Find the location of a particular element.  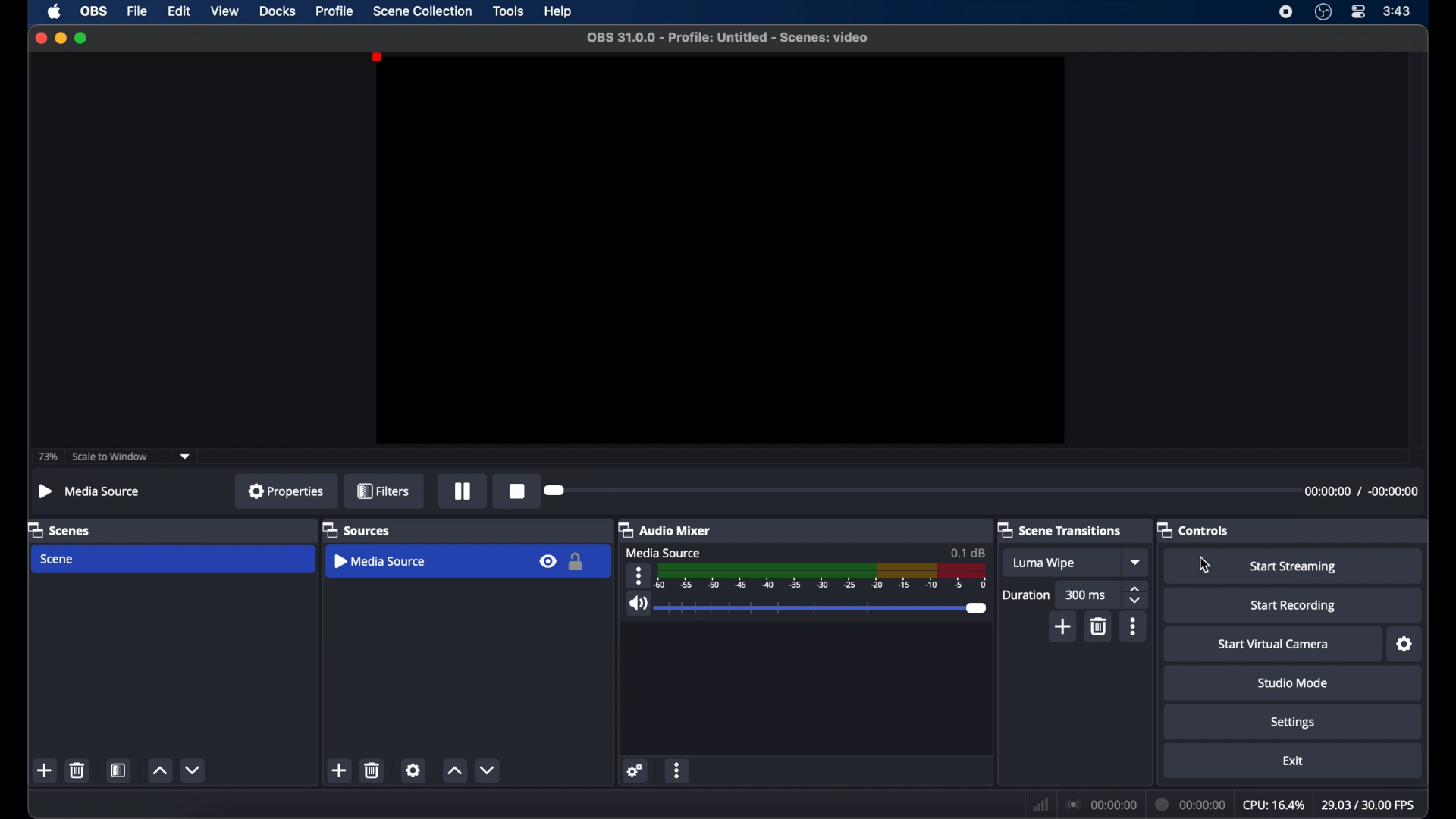

delete is located at coordinates (77, 770).